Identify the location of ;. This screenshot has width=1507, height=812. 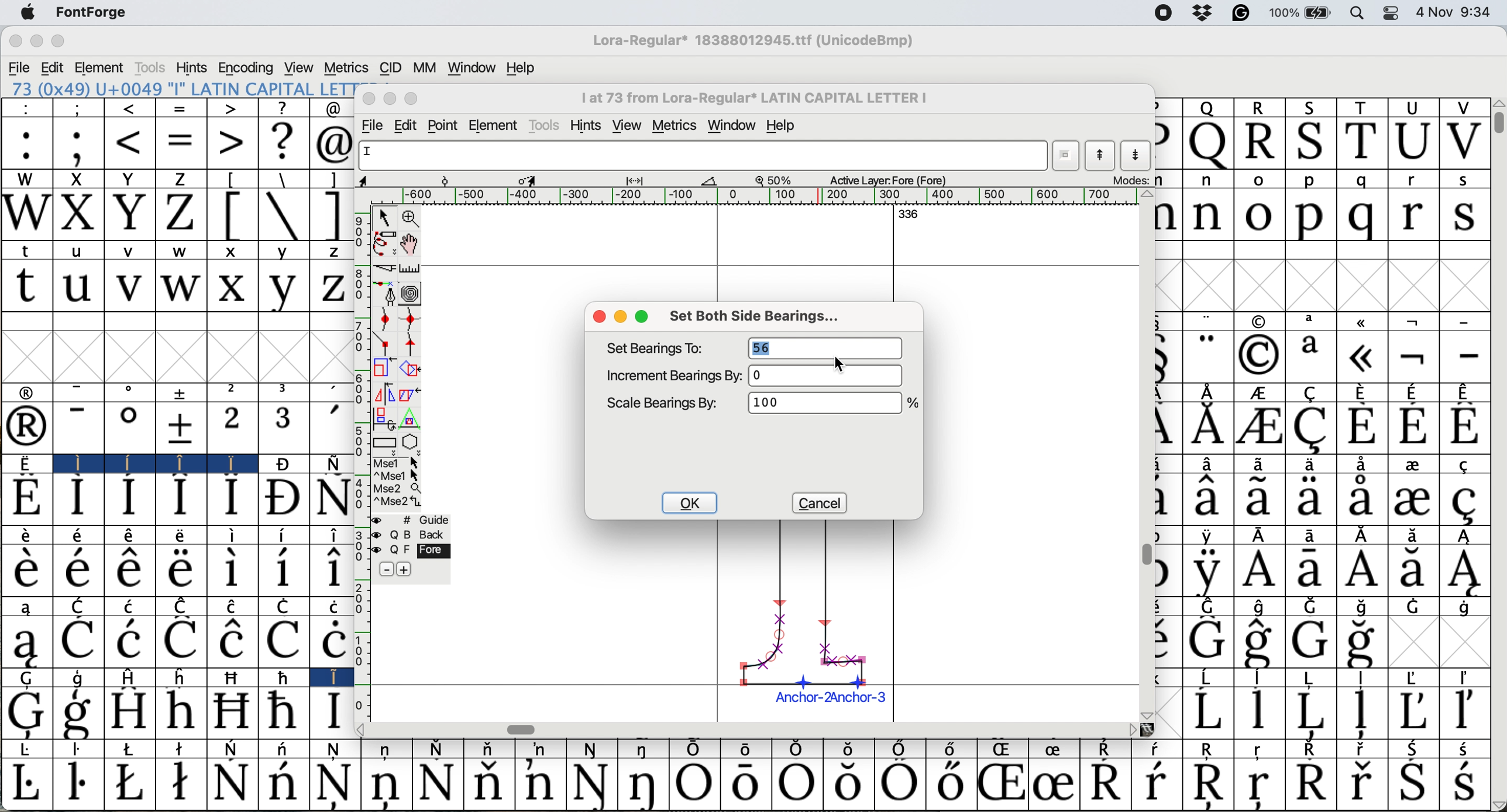
(80, 108).